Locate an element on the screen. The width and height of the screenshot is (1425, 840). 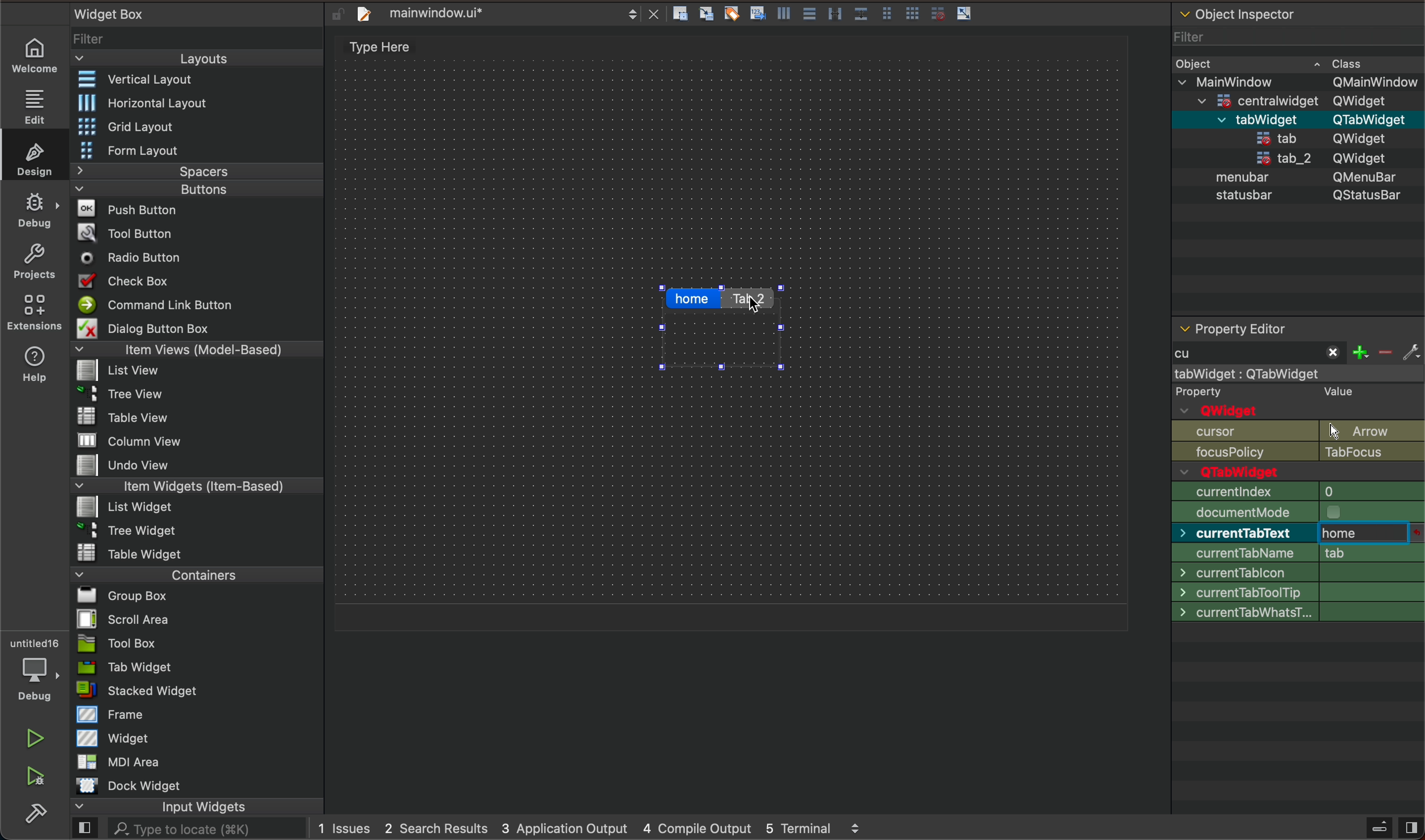
Check Box is located at coordinates (125, 279).